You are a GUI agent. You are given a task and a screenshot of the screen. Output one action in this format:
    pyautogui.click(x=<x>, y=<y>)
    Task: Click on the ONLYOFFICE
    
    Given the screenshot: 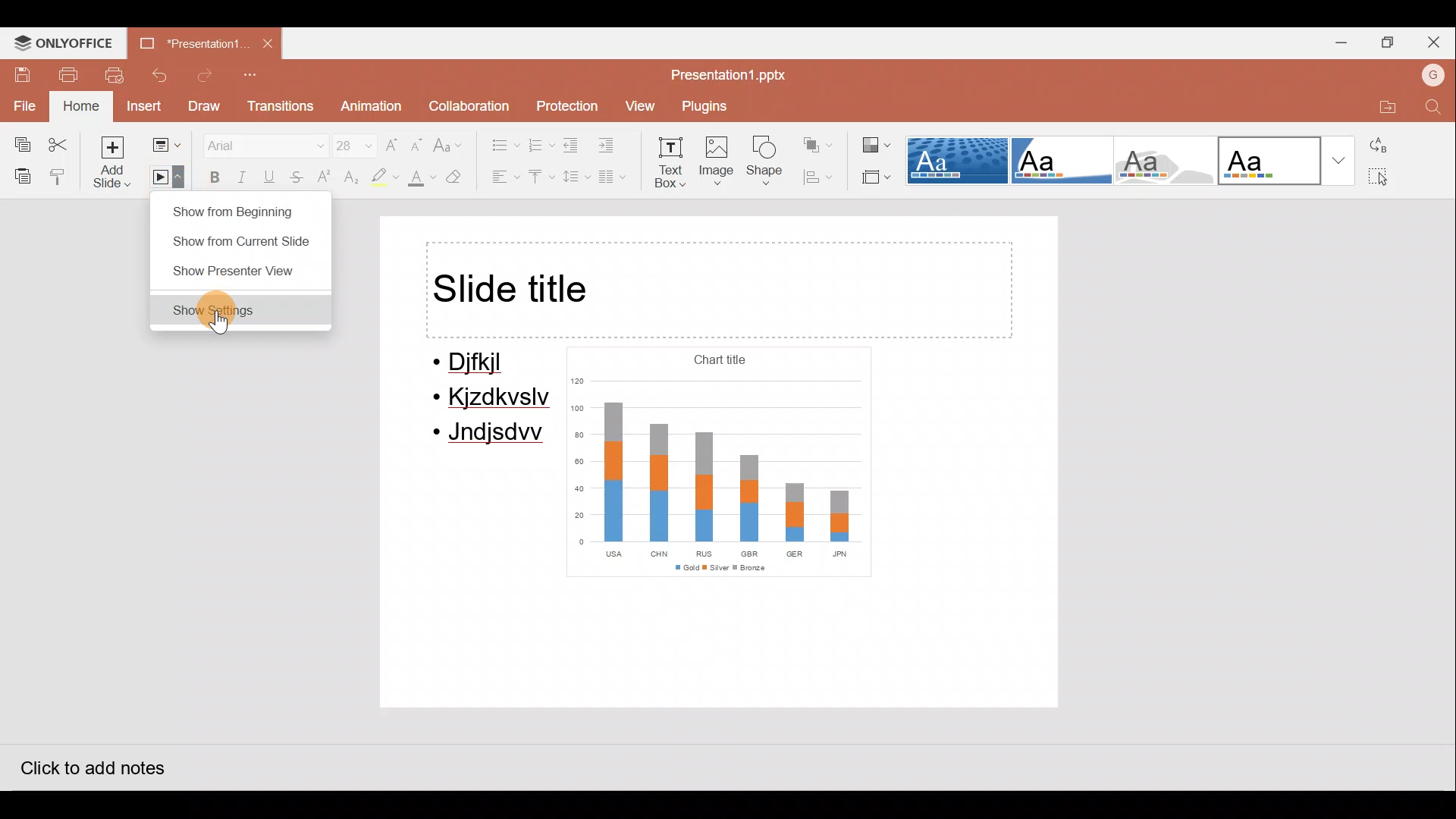 What is the action you would take?
    pyautogui.click(x=60, y=42)
    